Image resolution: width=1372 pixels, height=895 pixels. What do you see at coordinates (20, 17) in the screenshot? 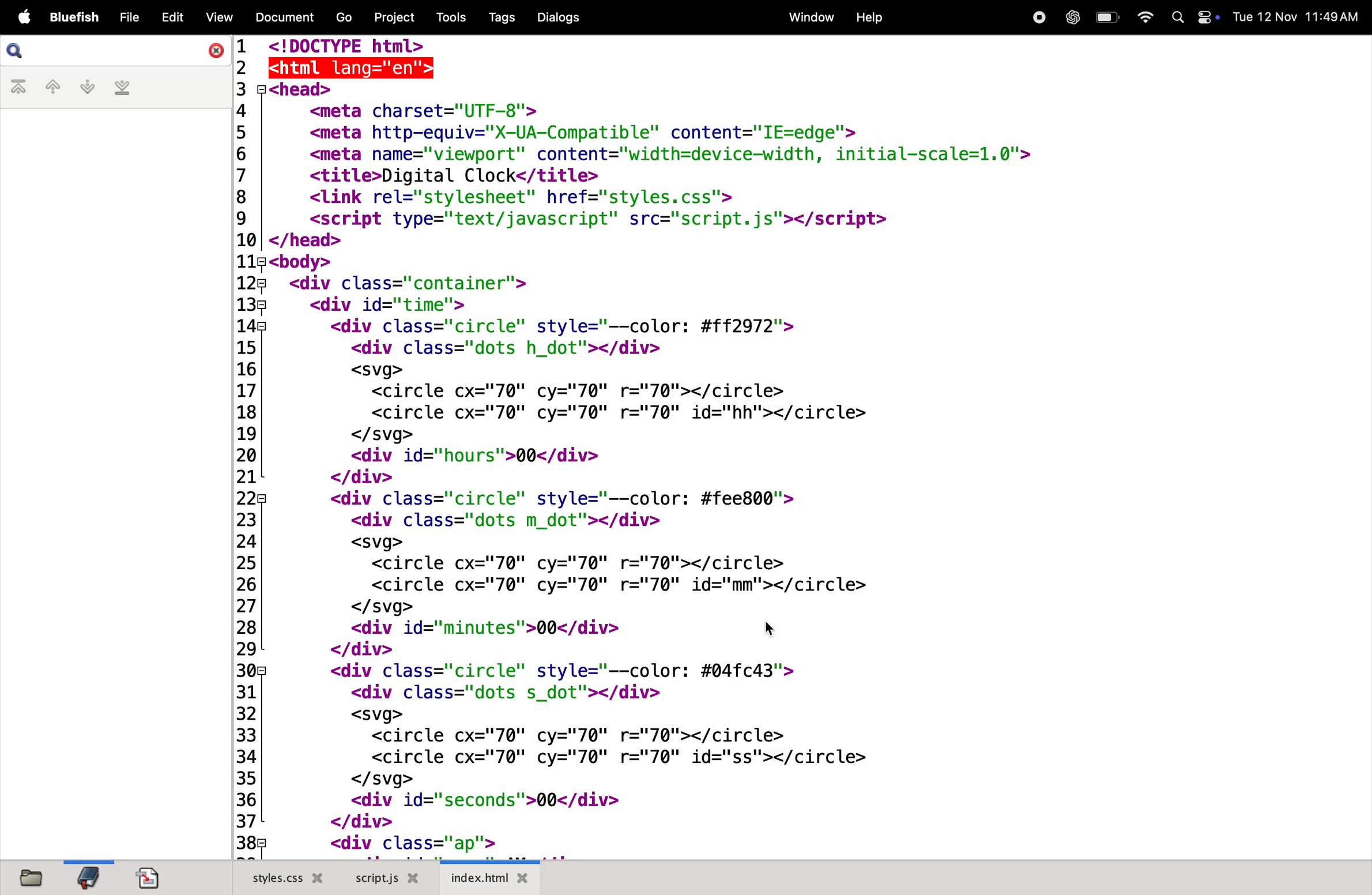
I see `apple menu` at bounding box center [20, 17].